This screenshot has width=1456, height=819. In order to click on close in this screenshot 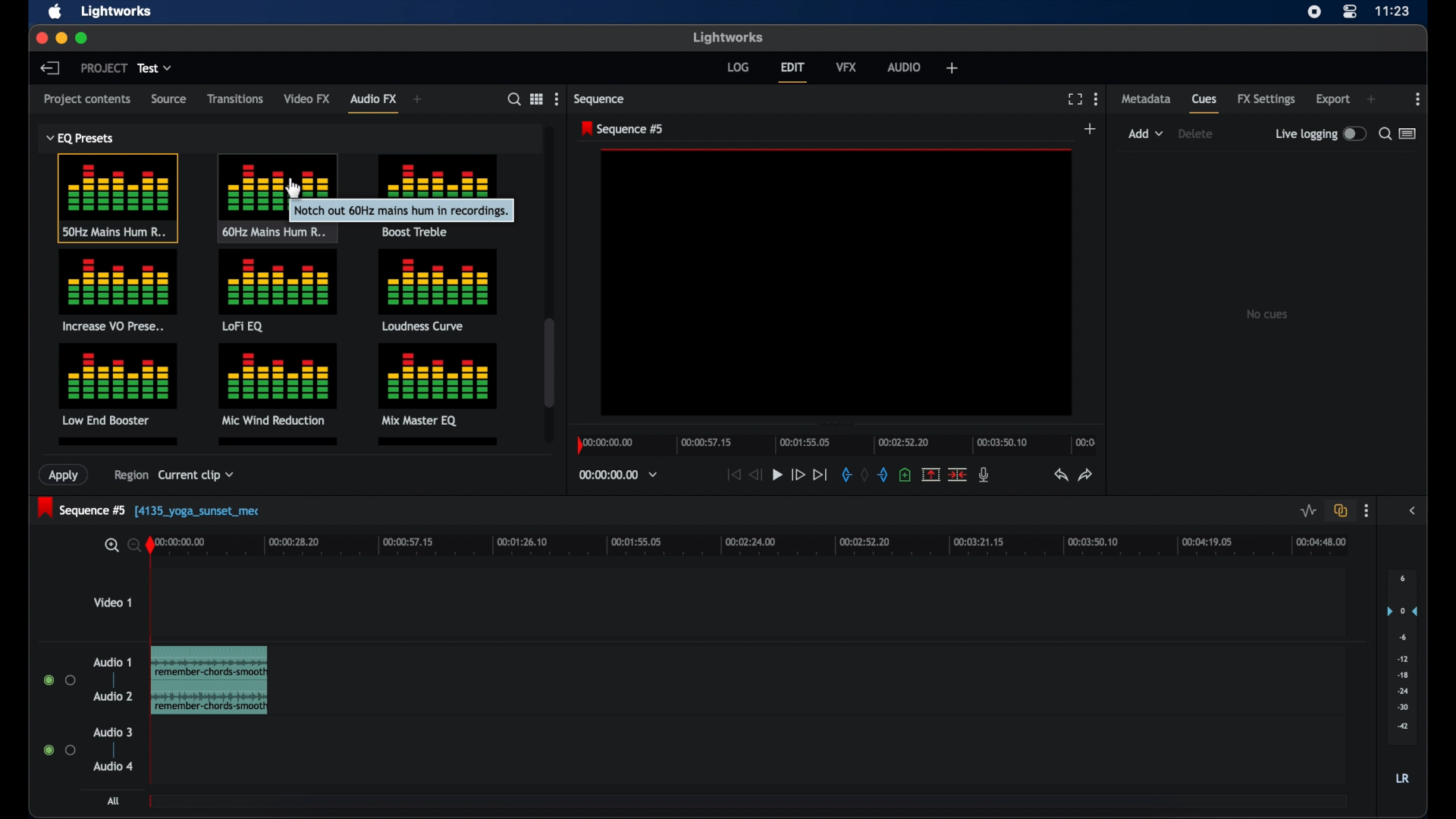, I will do `click(40, 38)`.